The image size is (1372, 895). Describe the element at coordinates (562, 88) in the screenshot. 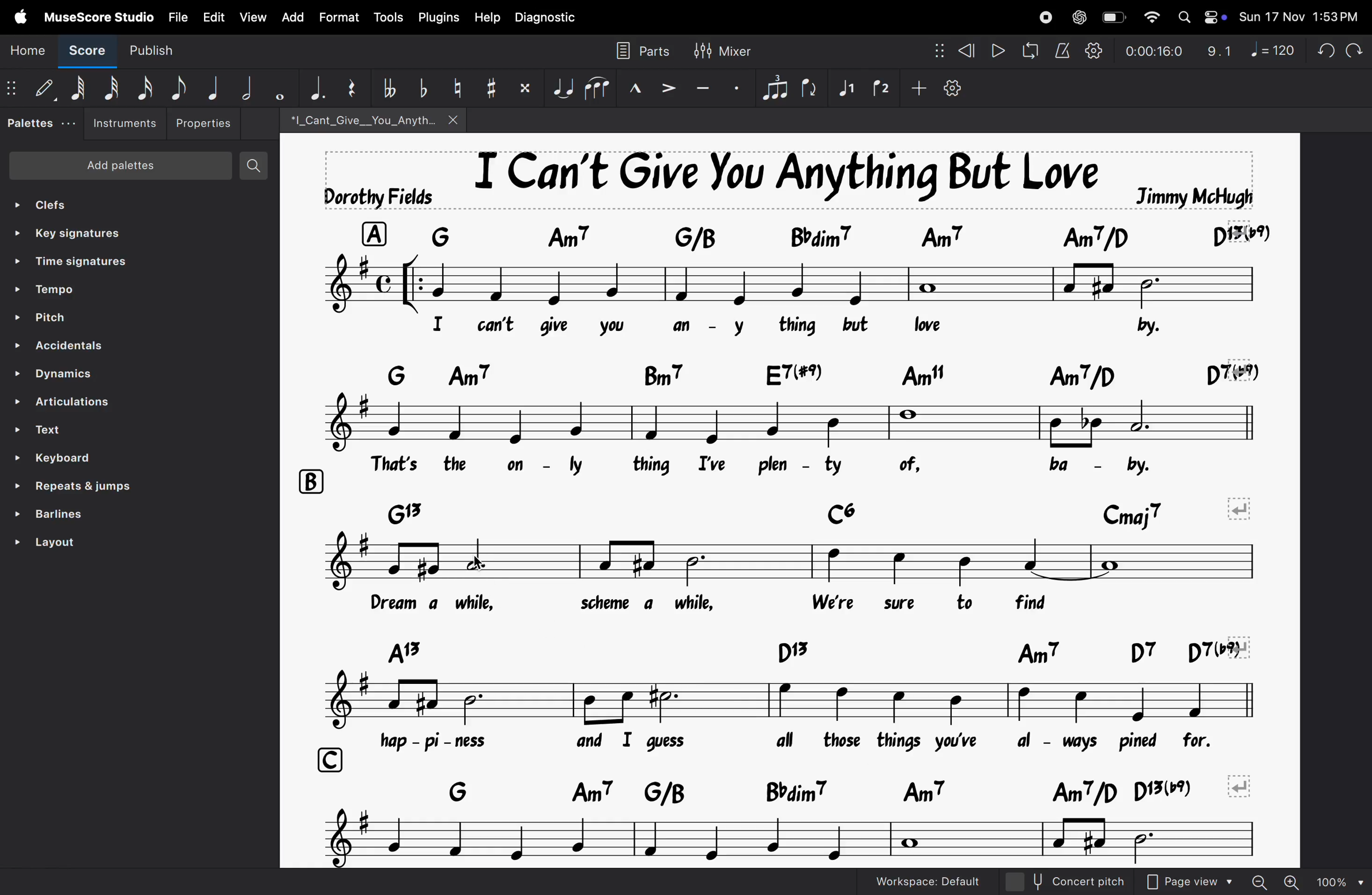

I see `tie` at that location.